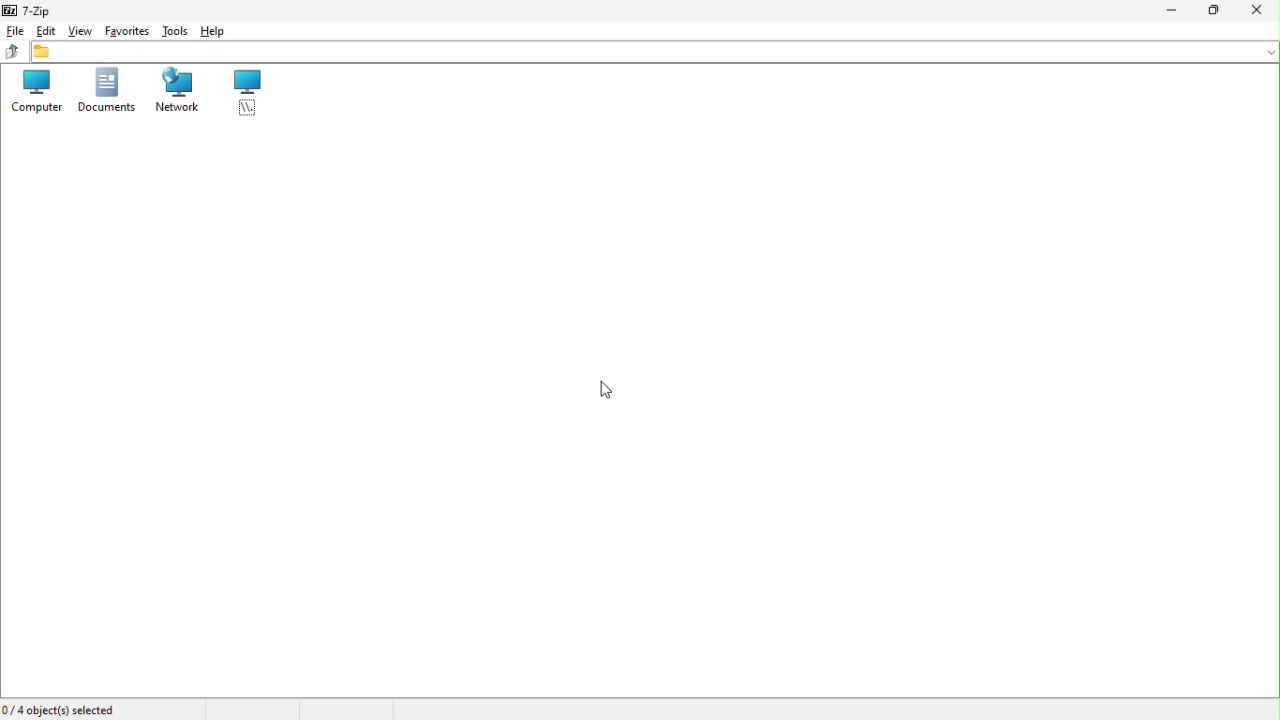  I want to click on up, so click(12, 52).